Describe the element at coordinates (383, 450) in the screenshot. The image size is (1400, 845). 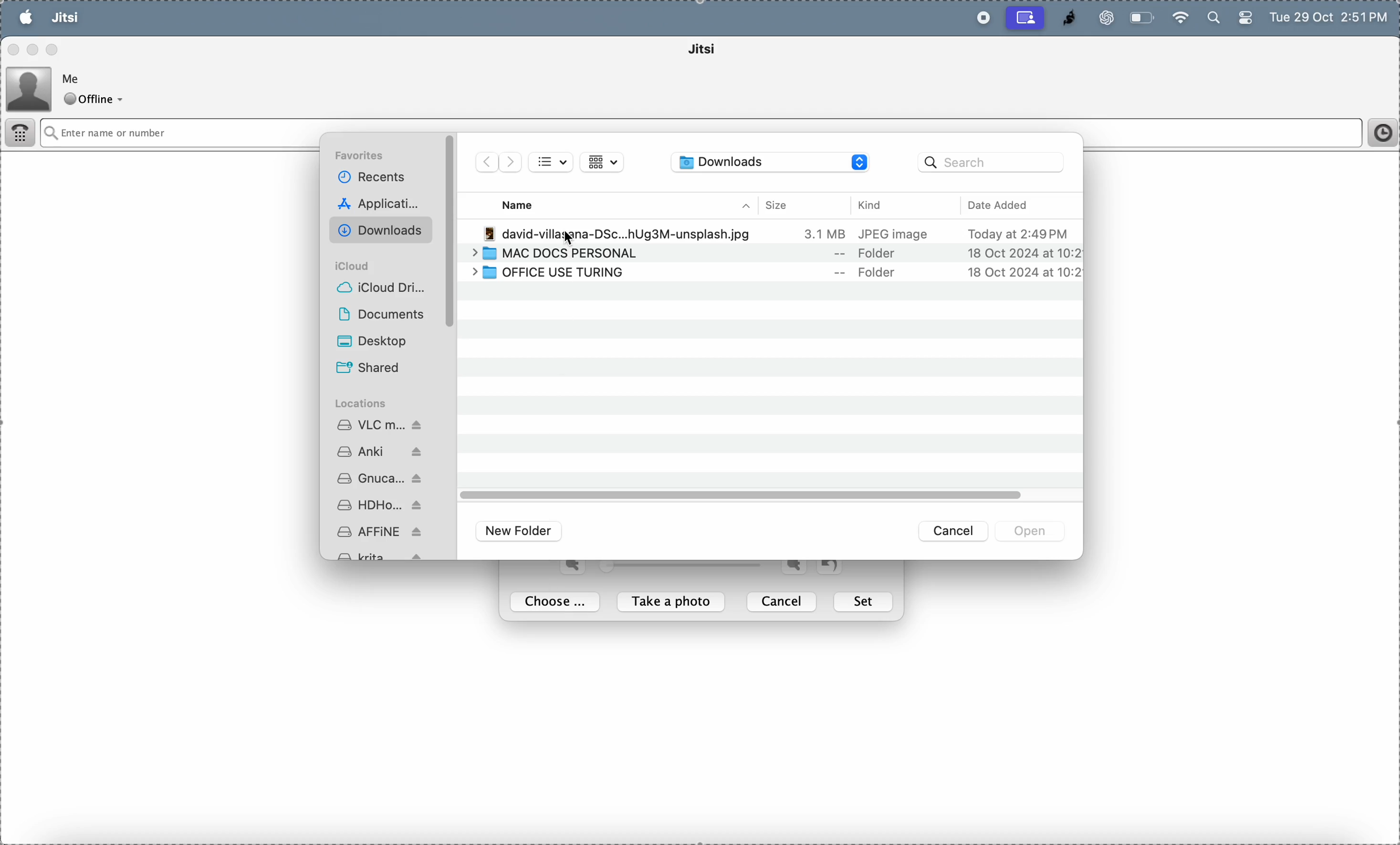
I see `ankii` at that location.